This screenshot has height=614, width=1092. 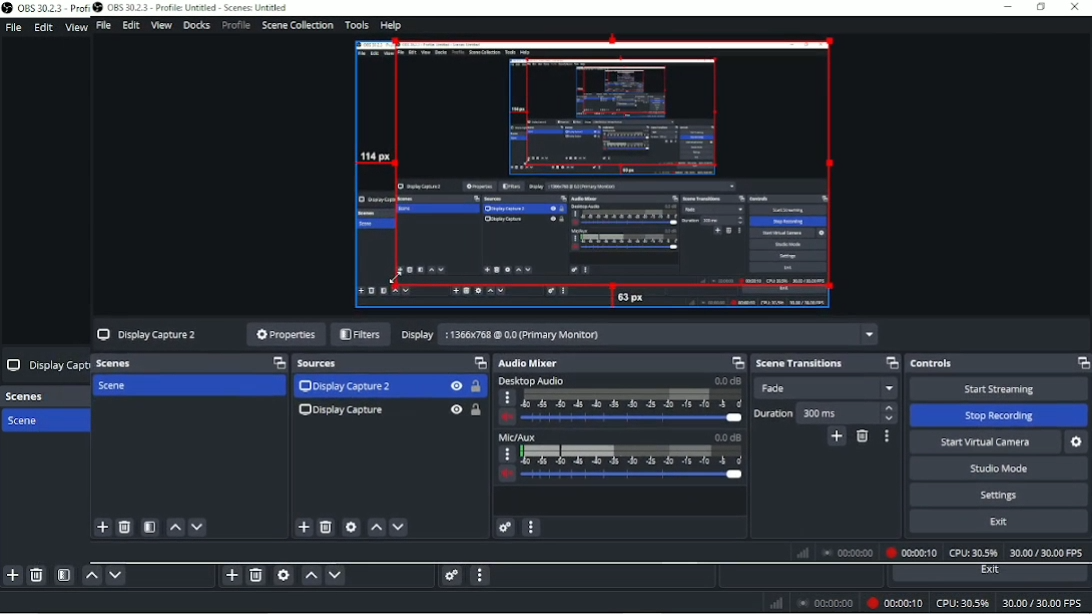 What do you see at coordinates (971, 551) in the screenshot?
I see `CPU: 30.5%` at bounding box center [971, 551].